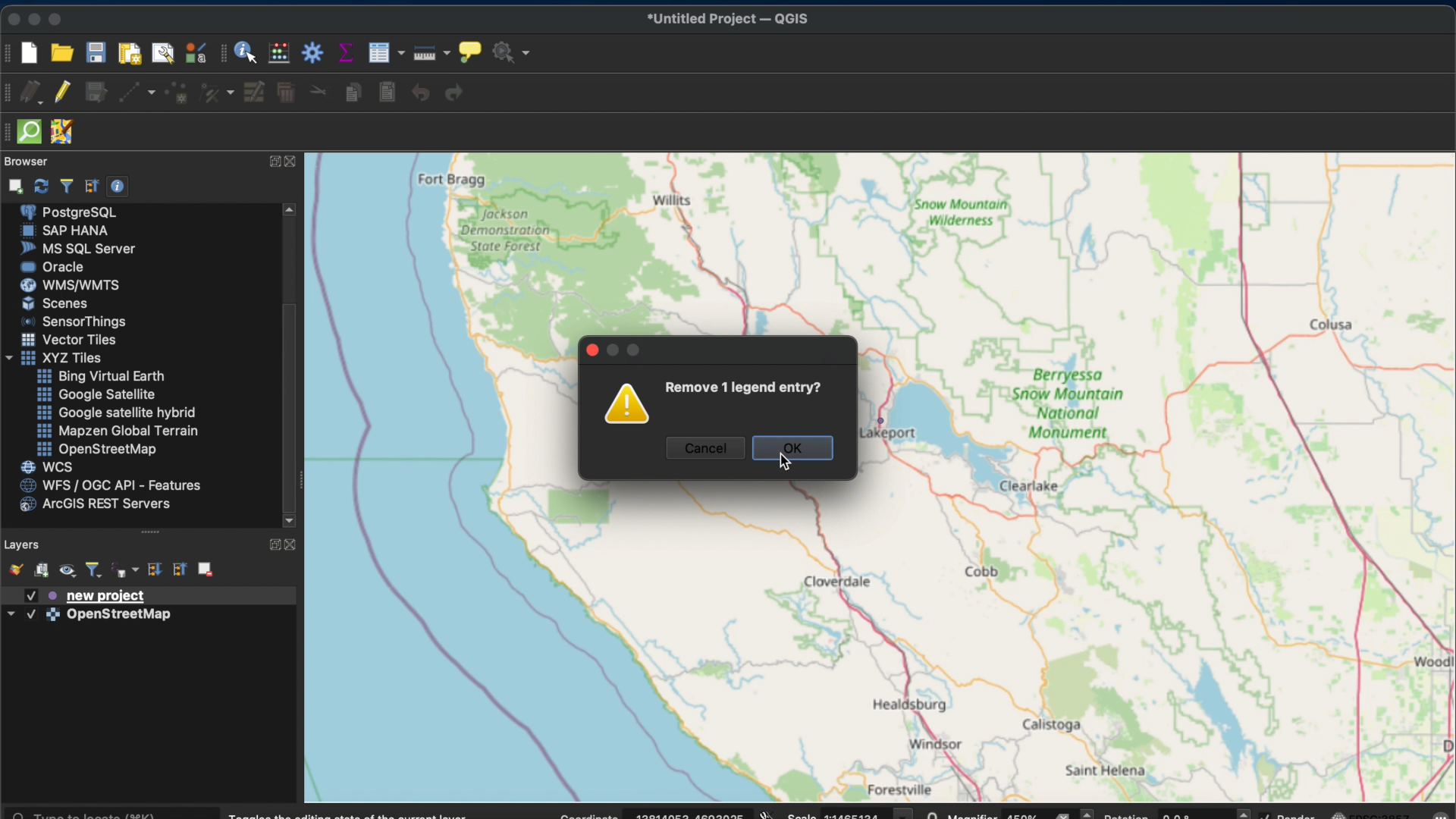 The width and height of the screenshot is (1456, 819). Describe the element at coordinates (130, 52) in the screenshot. I see `new print layout` at that location.